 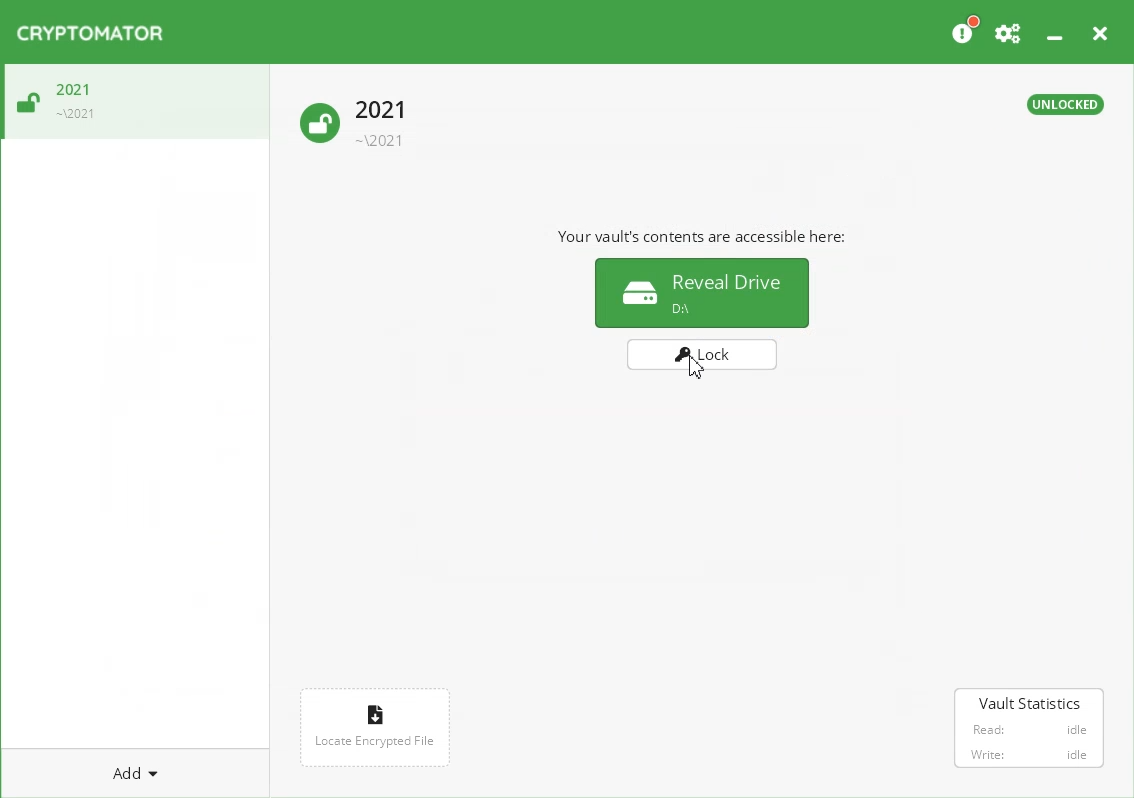 I want to click on Logo, so click(x=90, y=33).